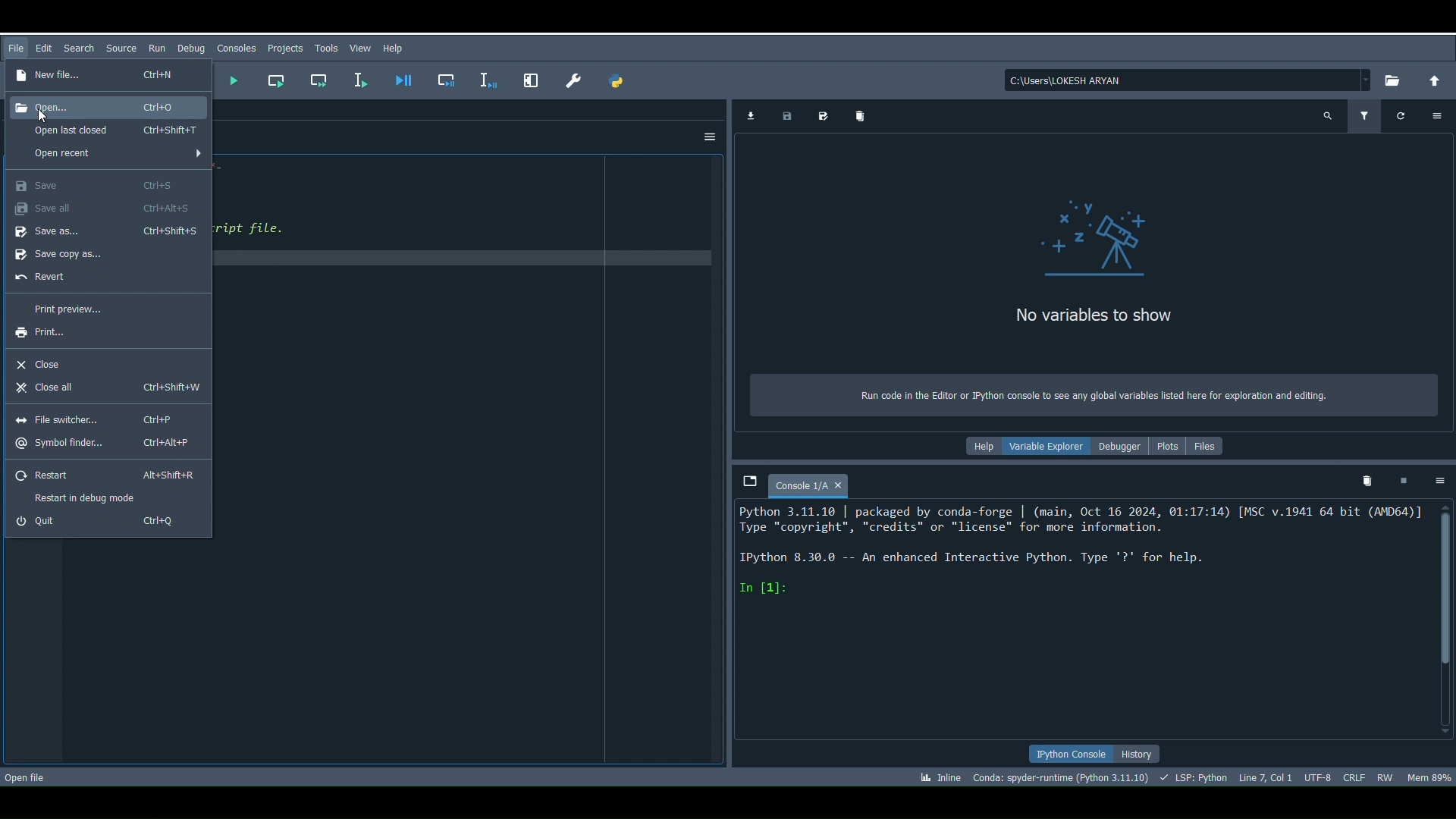 This screenshot has width=1456, height=819. I want to click on Cursor position, so click(1268, 779).